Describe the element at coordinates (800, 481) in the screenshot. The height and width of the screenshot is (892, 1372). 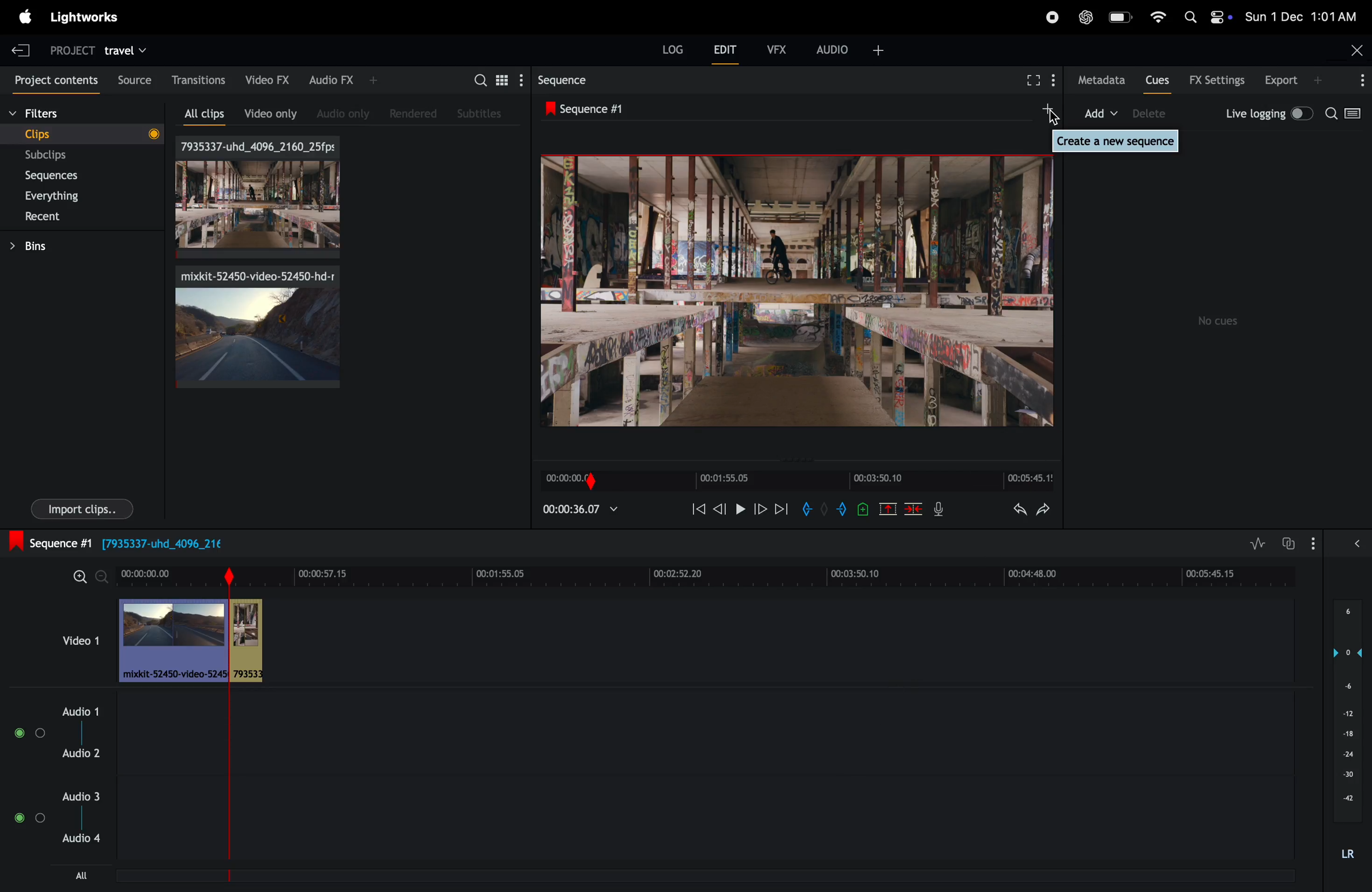
I see `time frame` at that location.